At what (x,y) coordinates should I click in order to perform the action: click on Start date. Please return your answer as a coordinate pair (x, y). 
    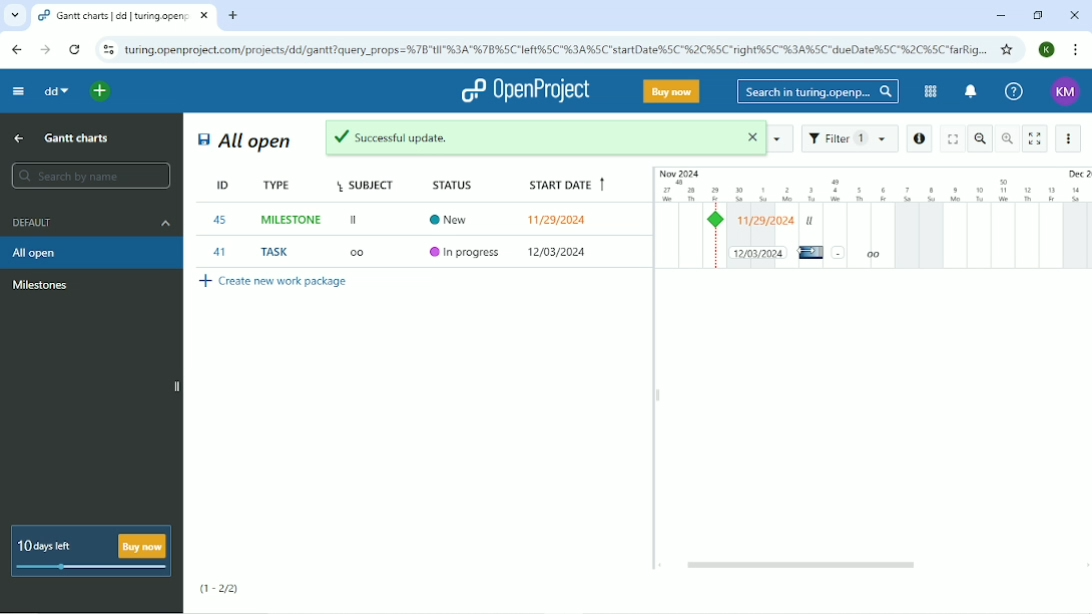
    Looking at the image, I should click on (564, 186).